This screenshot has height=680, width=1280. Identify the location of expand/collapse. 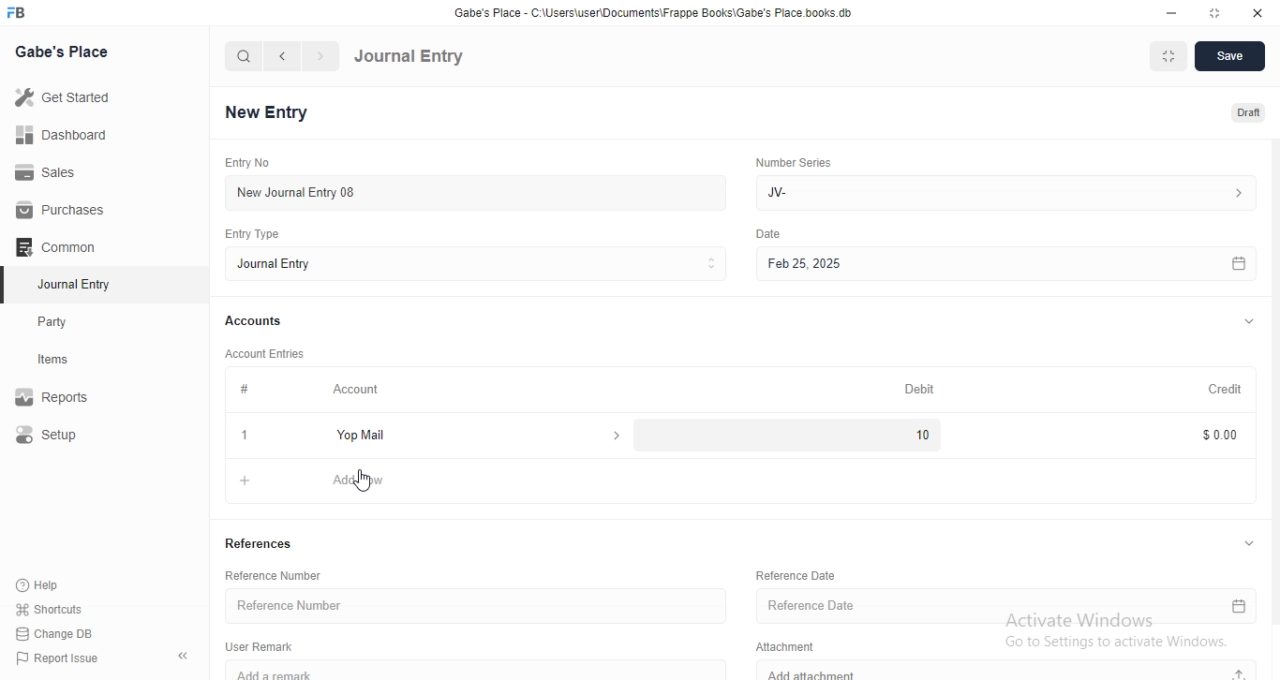
(1248, 543).